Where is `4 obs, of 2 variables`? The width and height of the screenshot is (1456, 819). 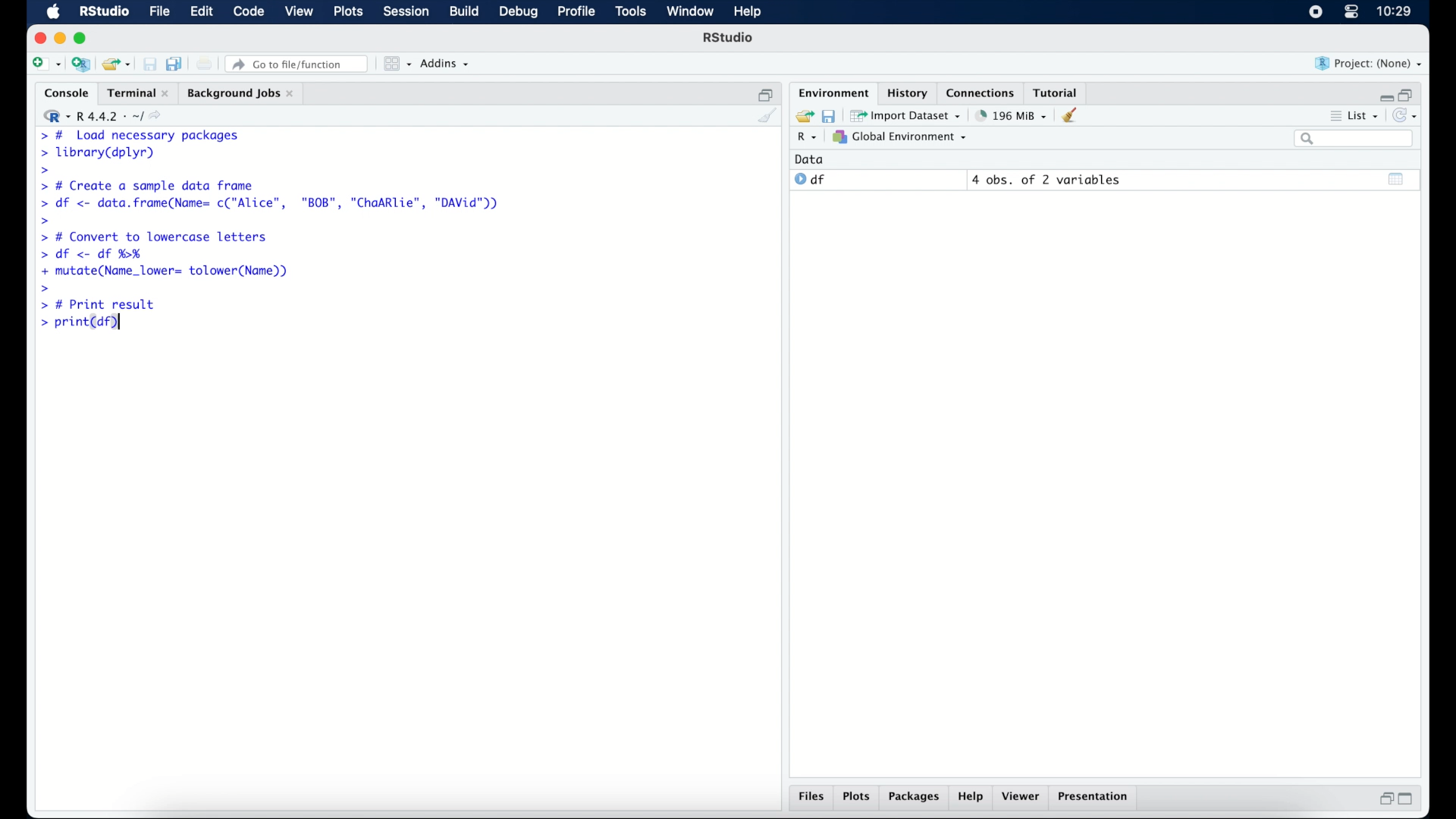
4 obs, of 2 variables is located at coordinates (1046, 180).